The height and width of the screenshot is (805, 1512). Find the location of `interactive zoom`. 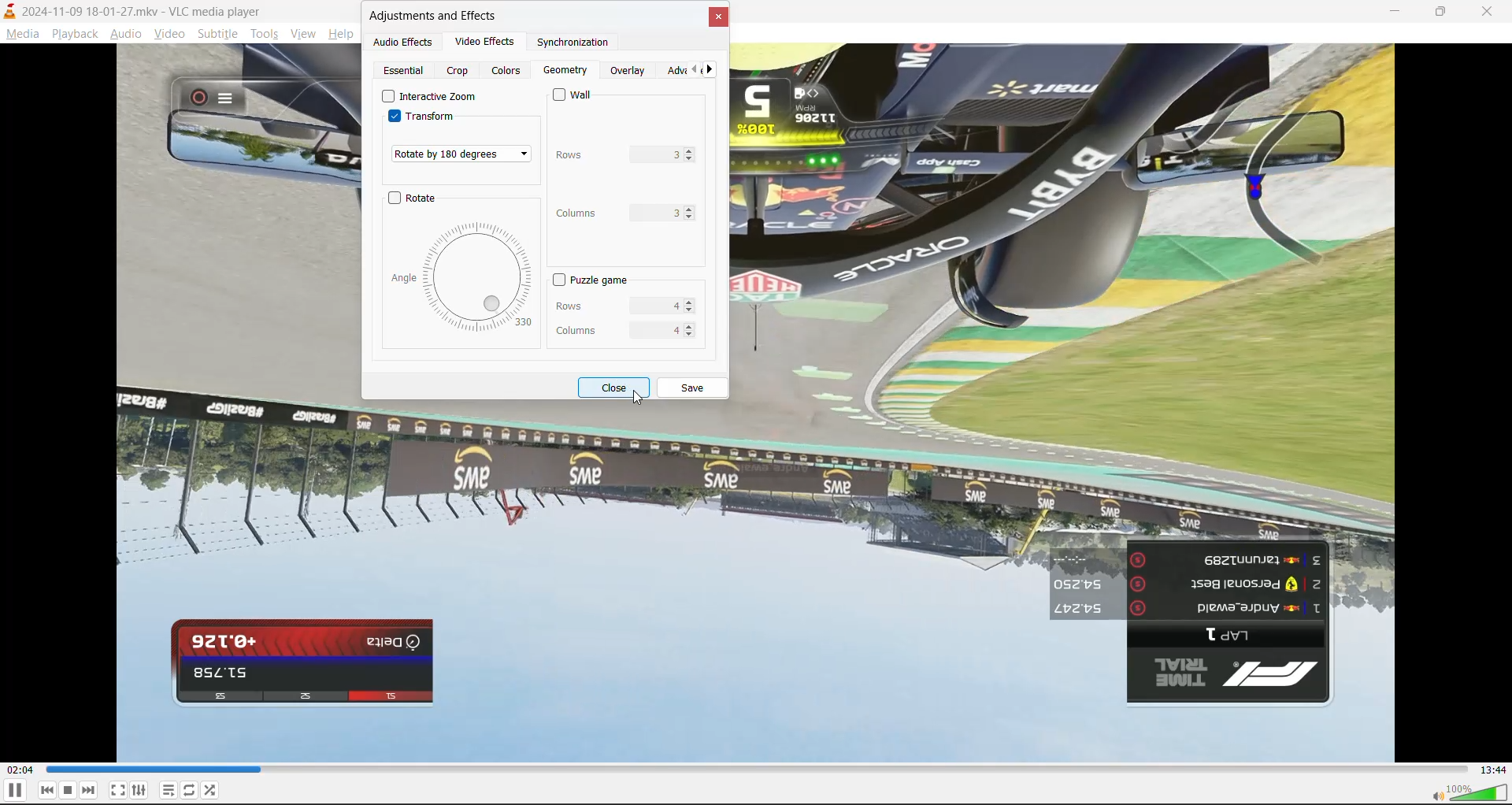

interactive zoom is located at coordinates (429, 96).